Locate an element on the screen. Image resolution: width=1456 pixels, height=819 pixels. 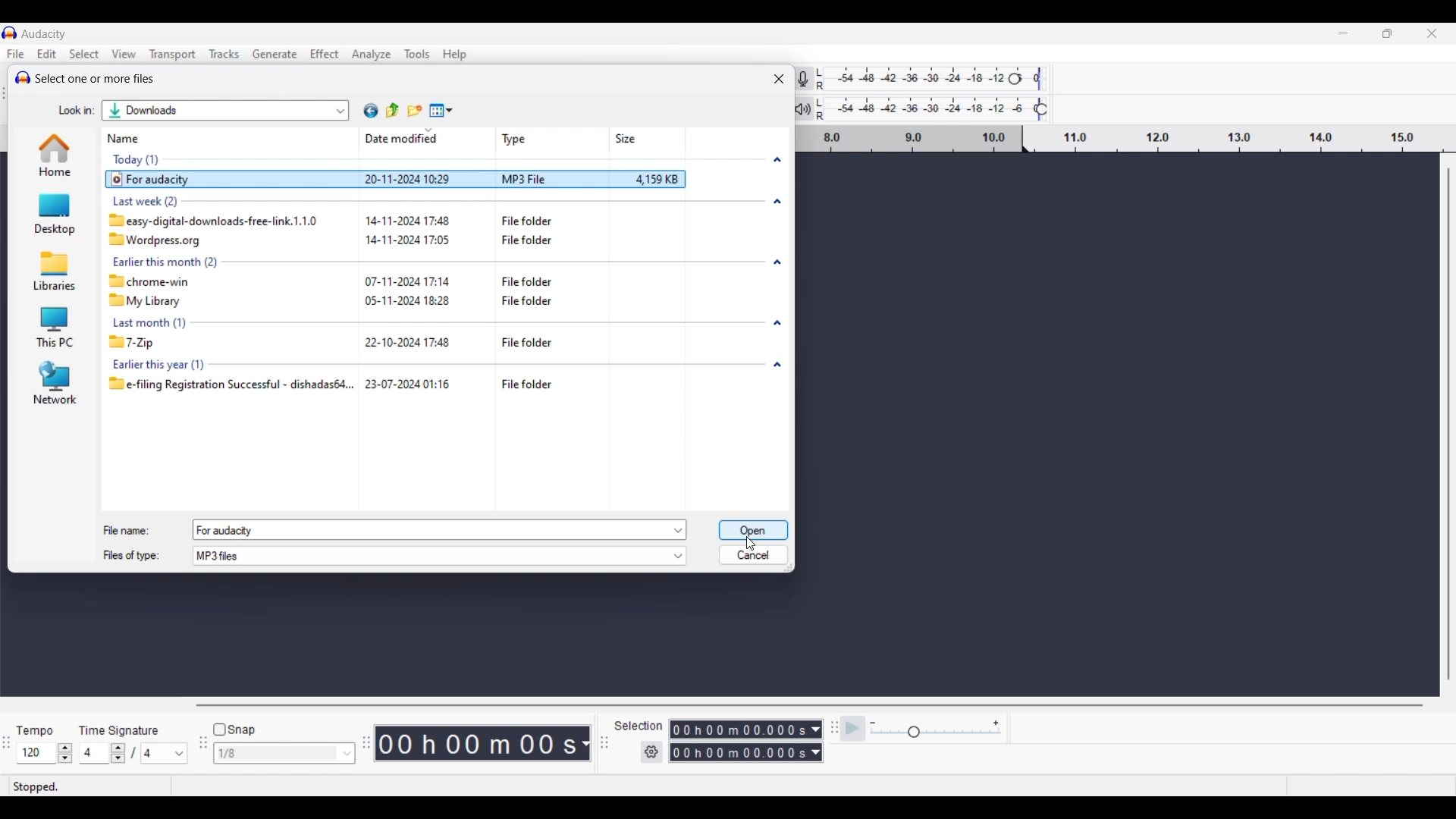
Transport menu is located at coordinates (172, 54).